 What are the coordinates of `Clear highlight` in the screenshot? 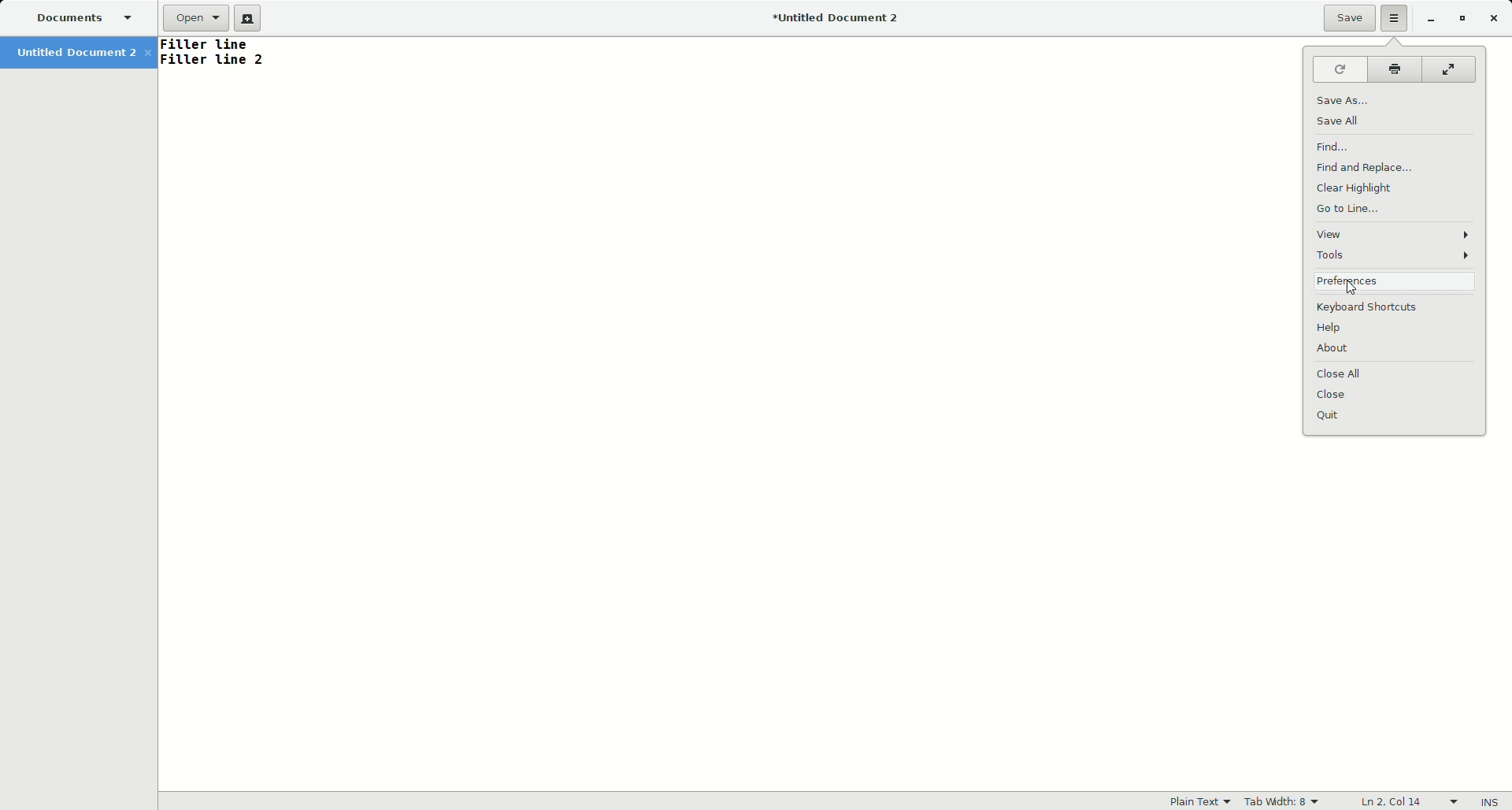 It's located at (1357, 188).